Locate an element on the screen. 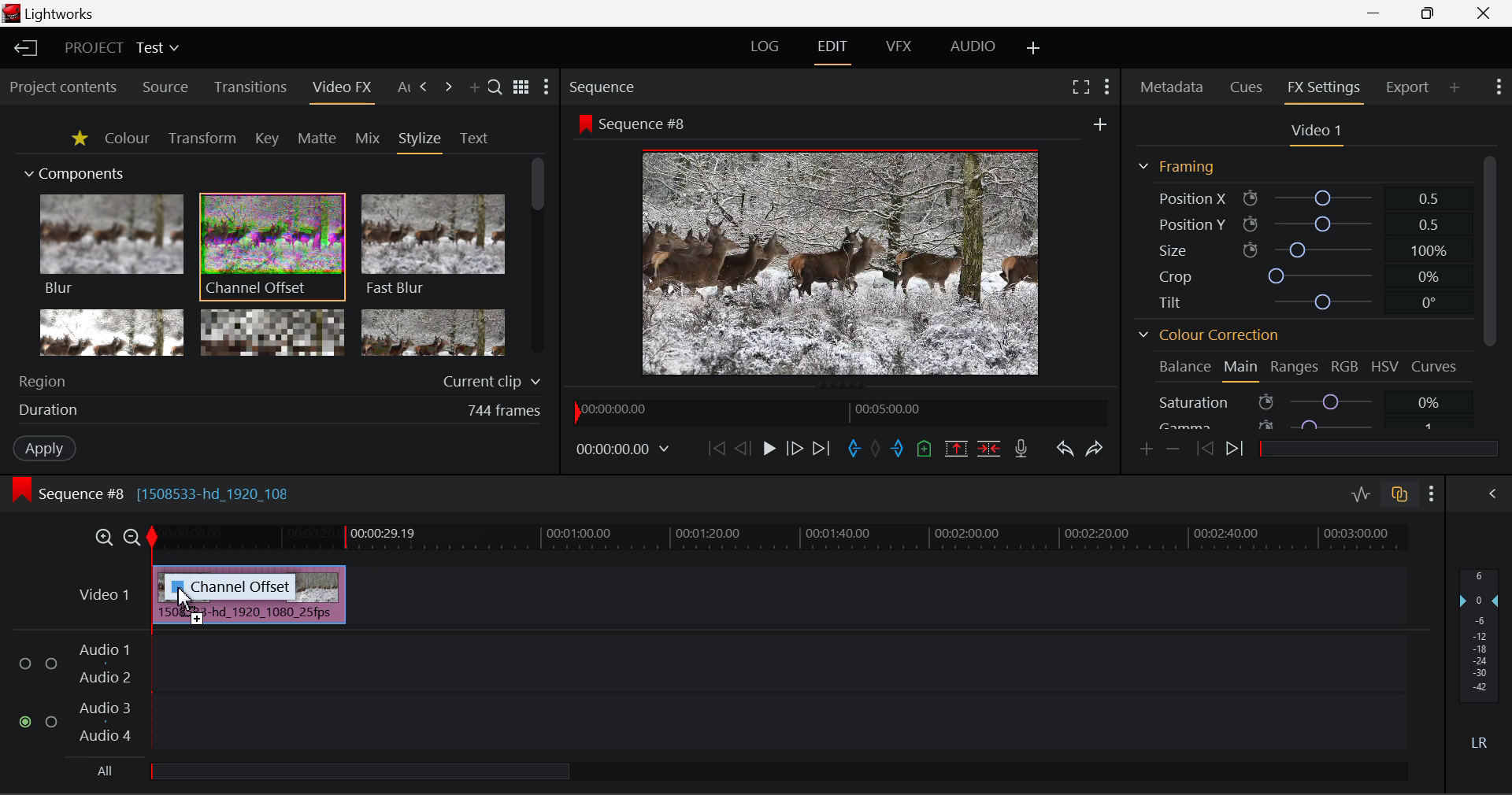 The image size is (1512, 795). Components Section is located at coordinates (72, 171).